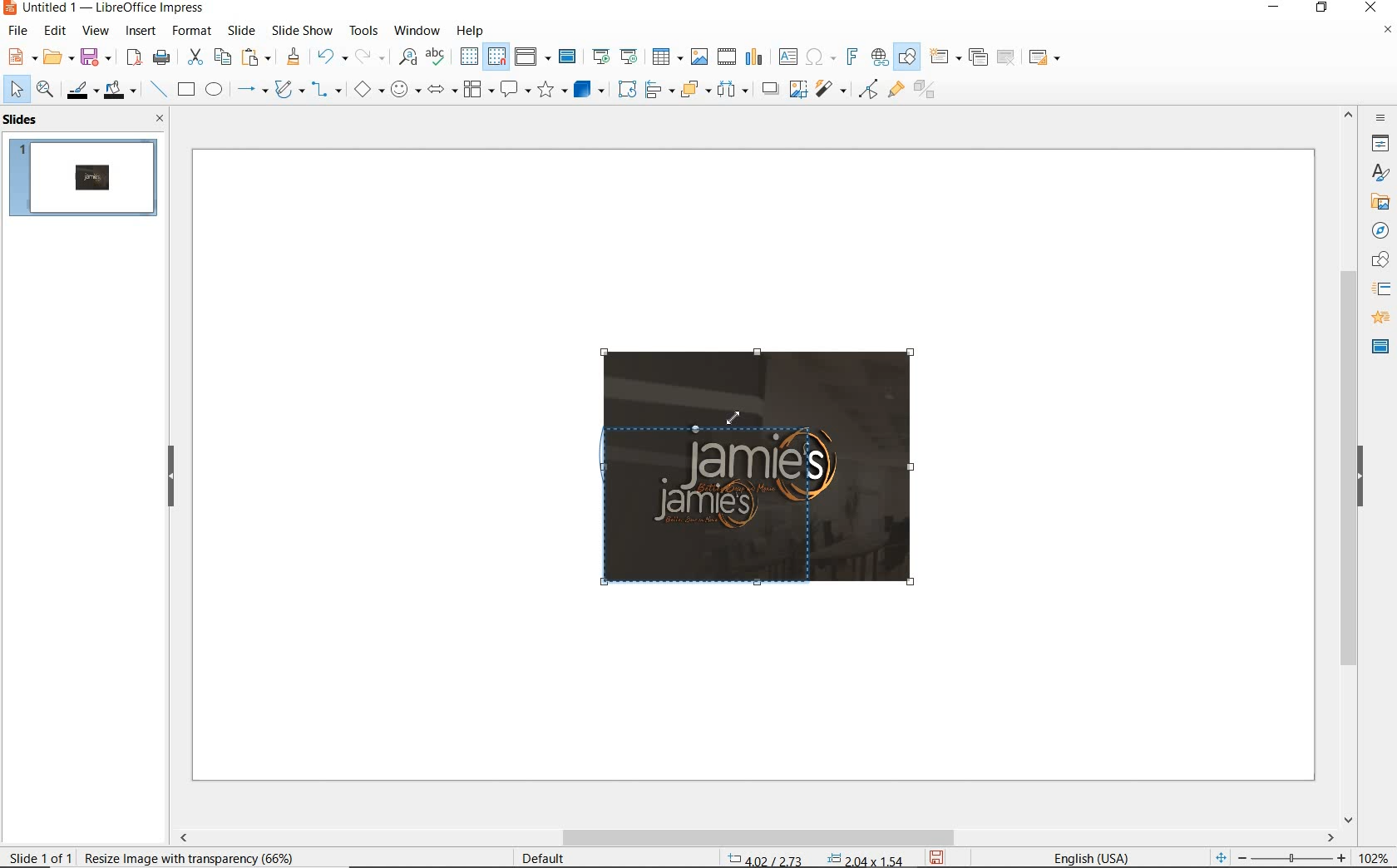  What do you see at coordinates (590, 90) in the screenshot?
I see `3d objects` at bounding box center [590, 90].